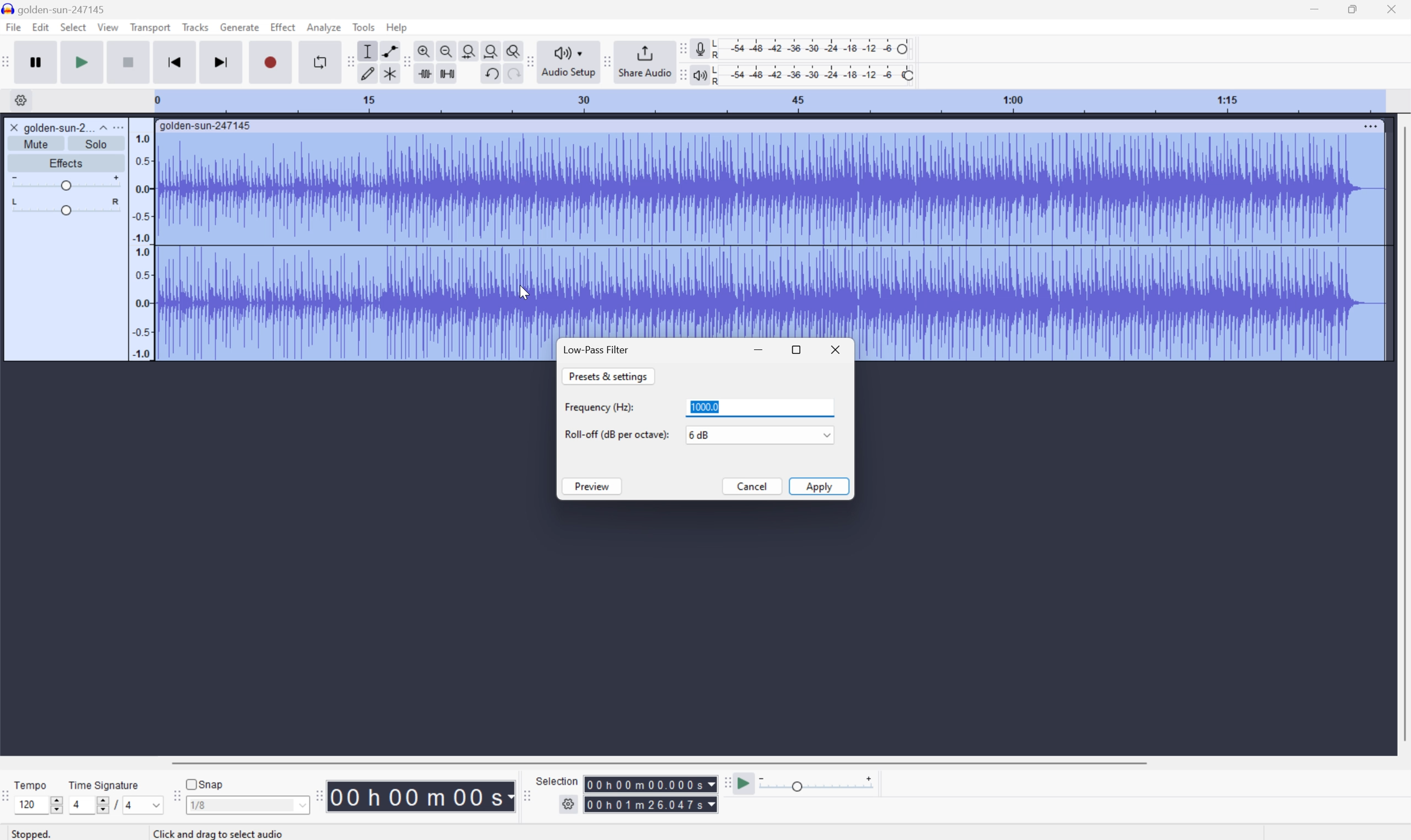  What do you see at coordinates (103, 785) in the screenshot?
I see `Time signature` at bounding box center [103, 785].